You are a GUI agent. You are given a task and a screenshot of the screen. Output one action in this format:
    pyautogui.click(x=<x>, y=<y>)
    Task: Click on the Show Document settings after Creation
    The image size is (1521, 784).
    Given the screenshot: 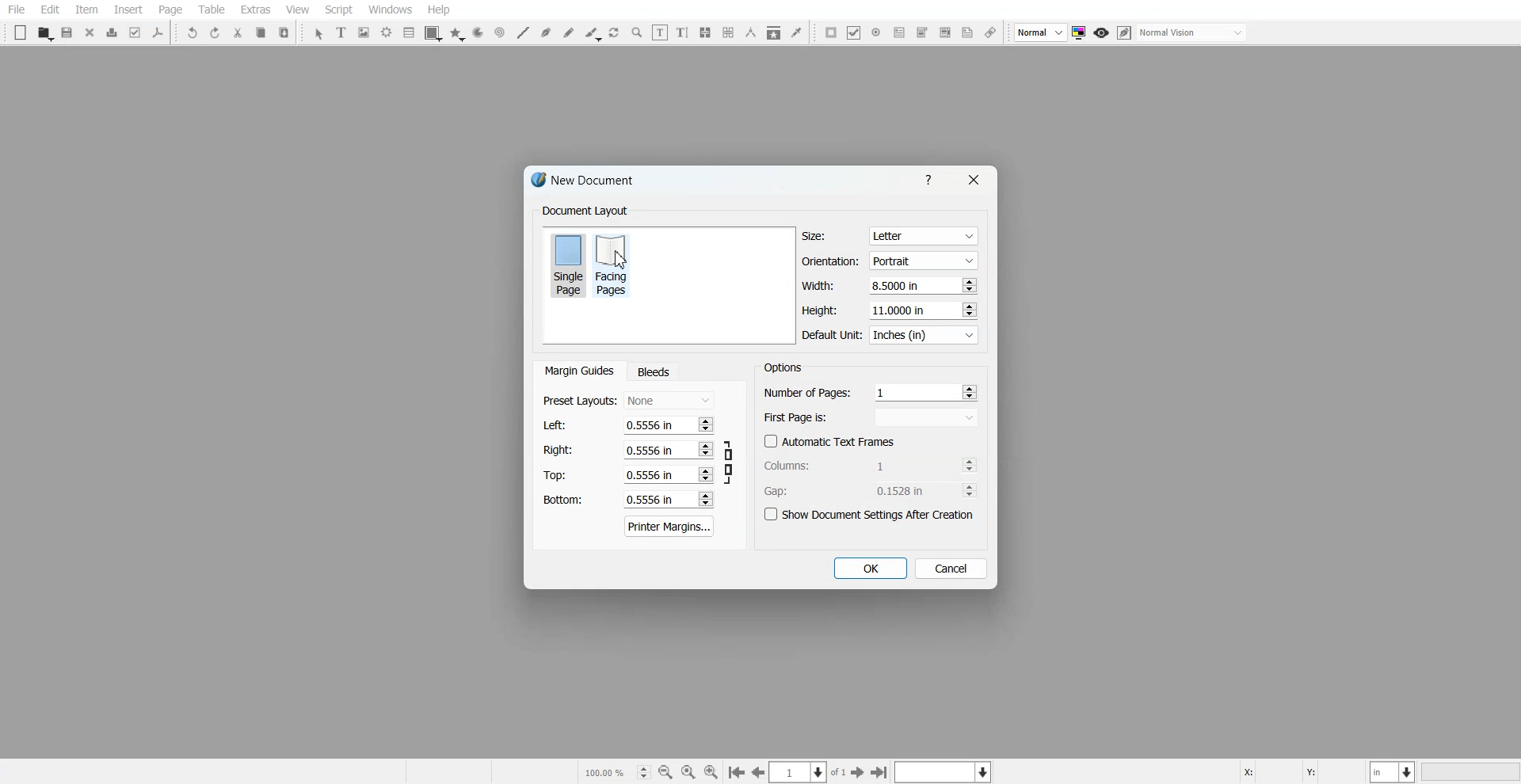 What is the action you would take?
    pyautogui.click(x=871, y=515)
    